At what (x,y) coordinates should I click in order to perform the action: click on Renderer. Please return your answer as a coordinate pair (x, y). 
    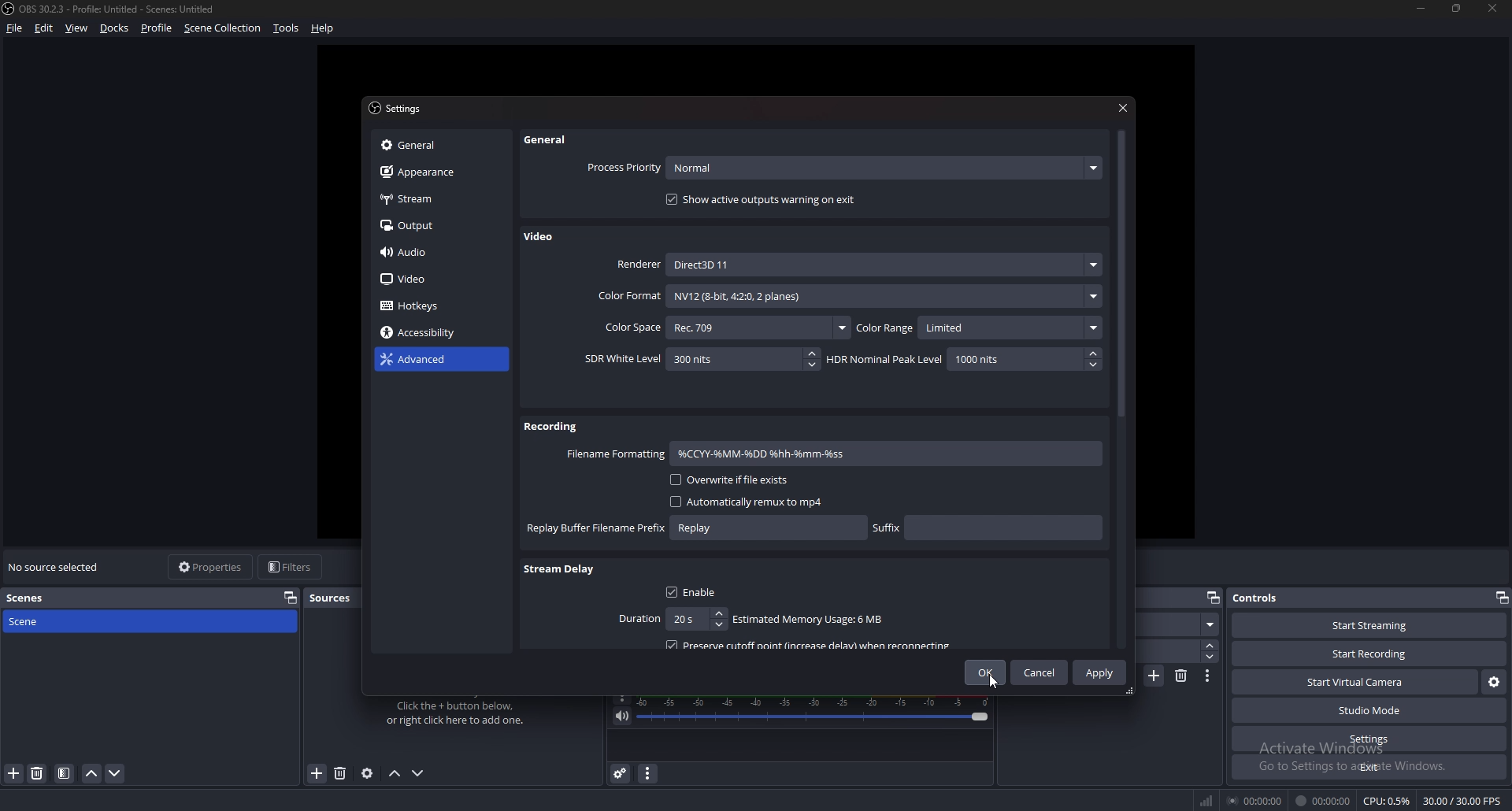
    Looking at the image, I should click on (858, 264).